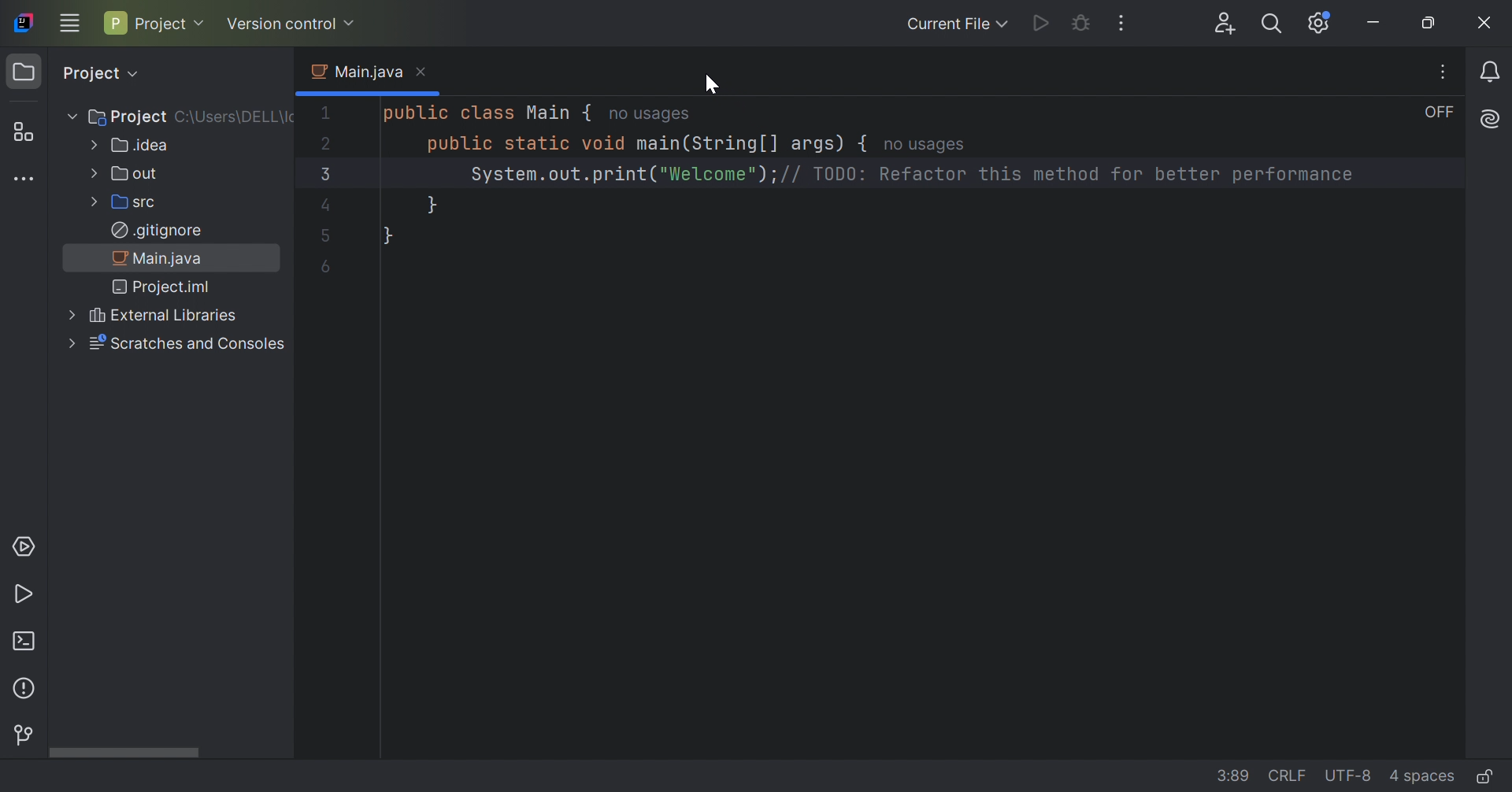 This screenshot has height=792, width=1512. What do you see at coordinates (1070, 174) in the screenshot?
I see `// TODO: Refactor this method for better performance` at bounding box center [1070, 174].